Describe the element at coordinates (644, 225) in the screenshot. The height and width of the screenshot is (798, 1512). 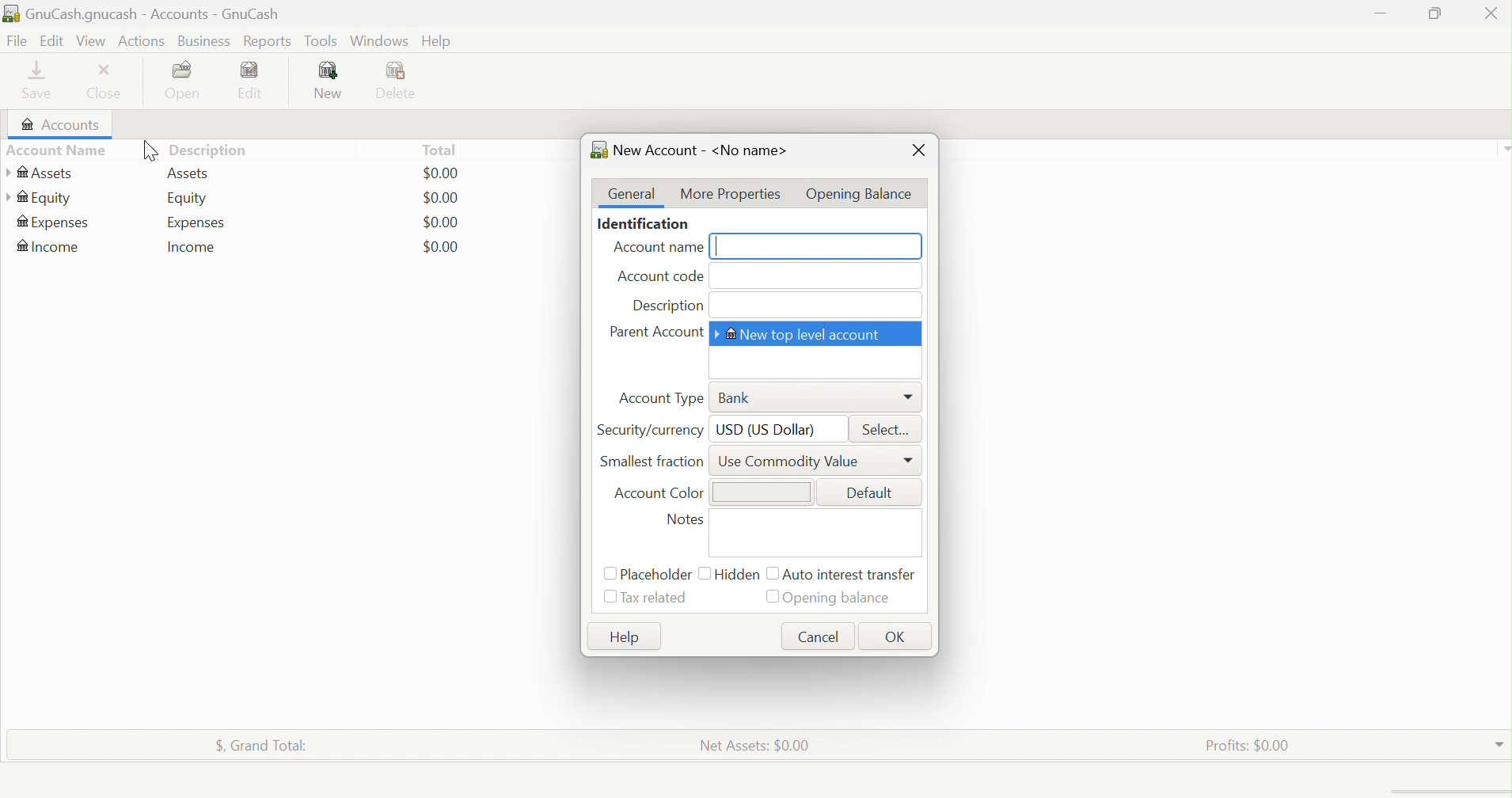
I see `Identification` at that location.